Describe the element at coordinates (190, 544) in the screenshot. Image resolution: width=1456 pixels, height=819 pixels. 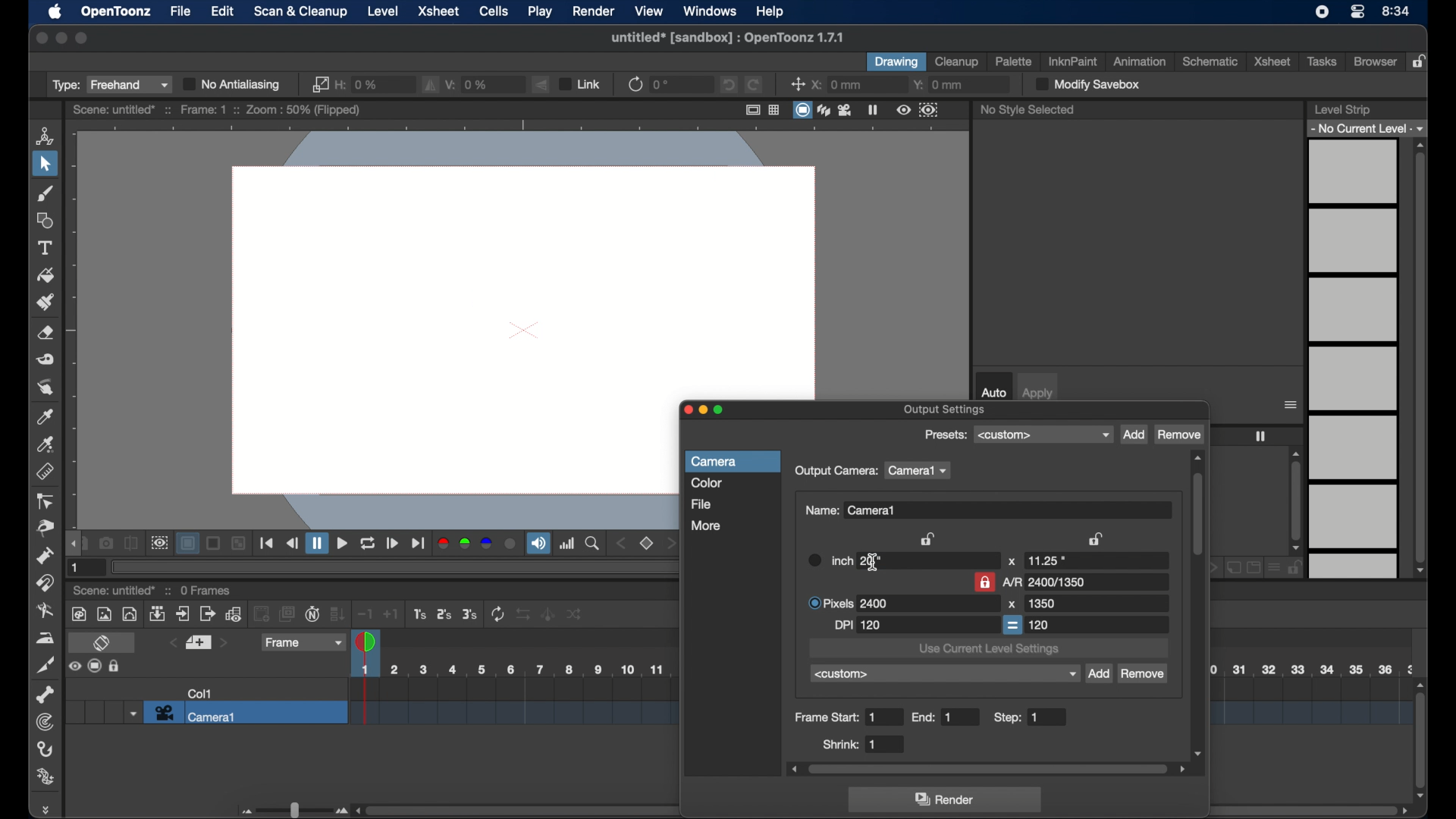
I see `background` at that location.